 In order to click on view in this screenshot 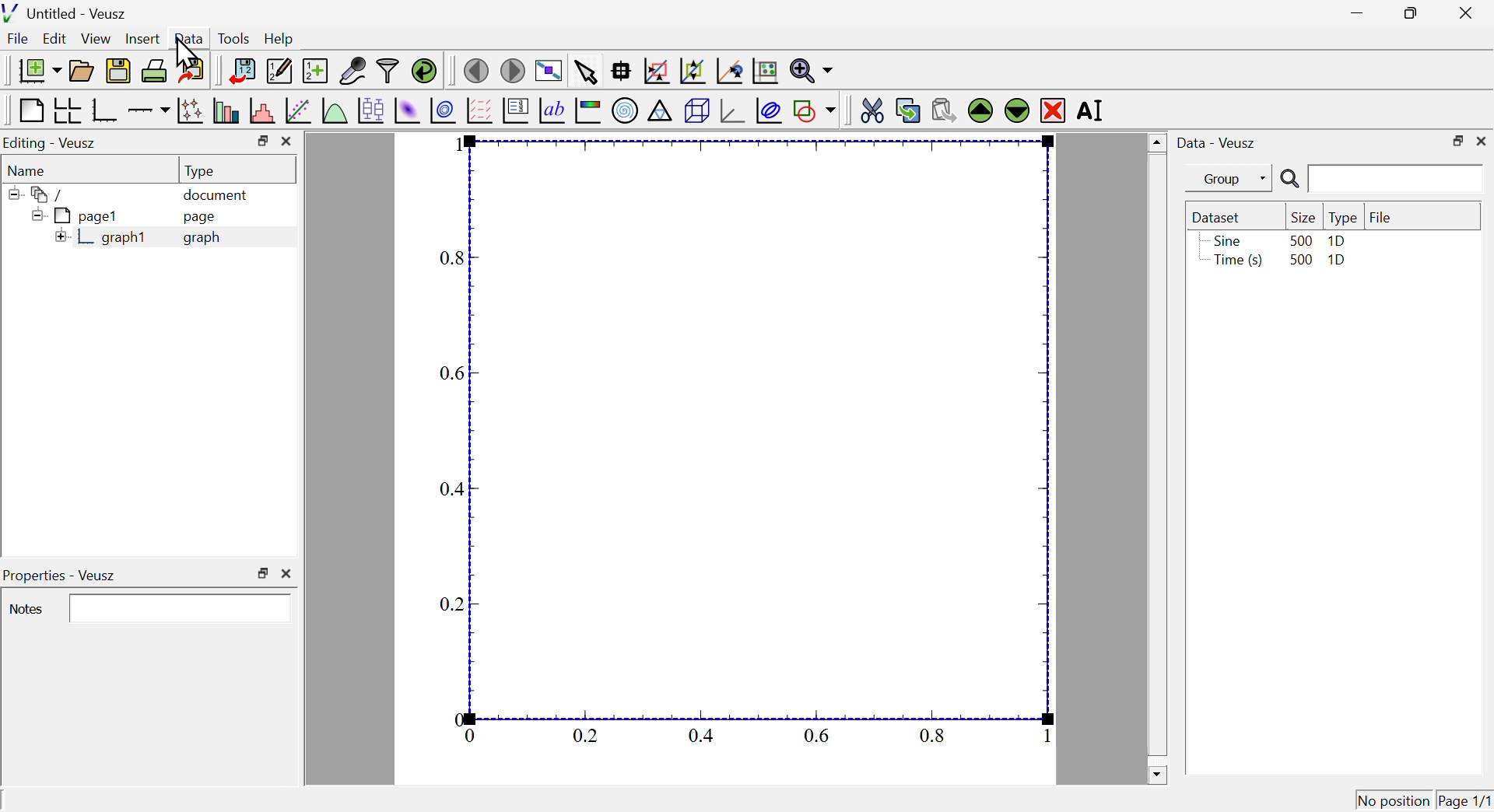, I will do `click(97, 38)`.